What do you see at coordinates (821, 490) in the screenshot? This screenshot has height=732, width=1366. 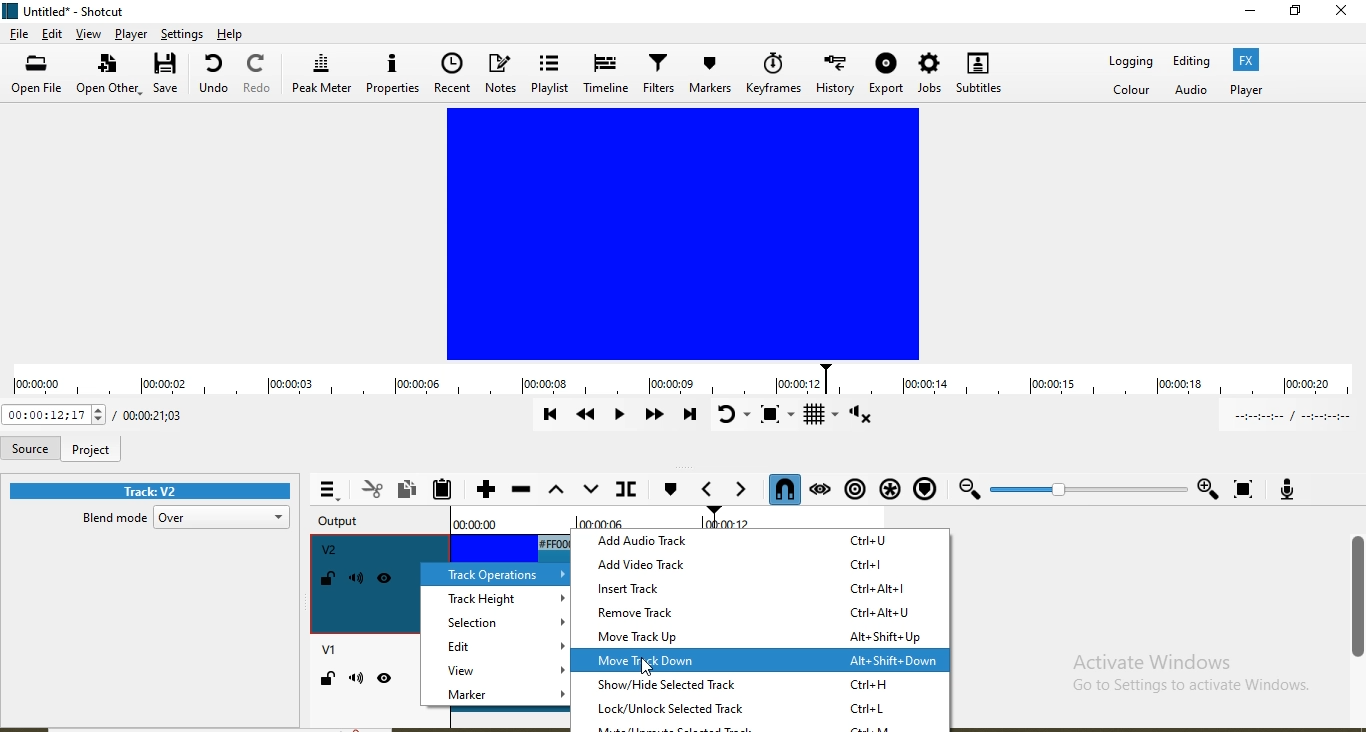 I see `Scrub while dragging` at bounding box center [821, 490].